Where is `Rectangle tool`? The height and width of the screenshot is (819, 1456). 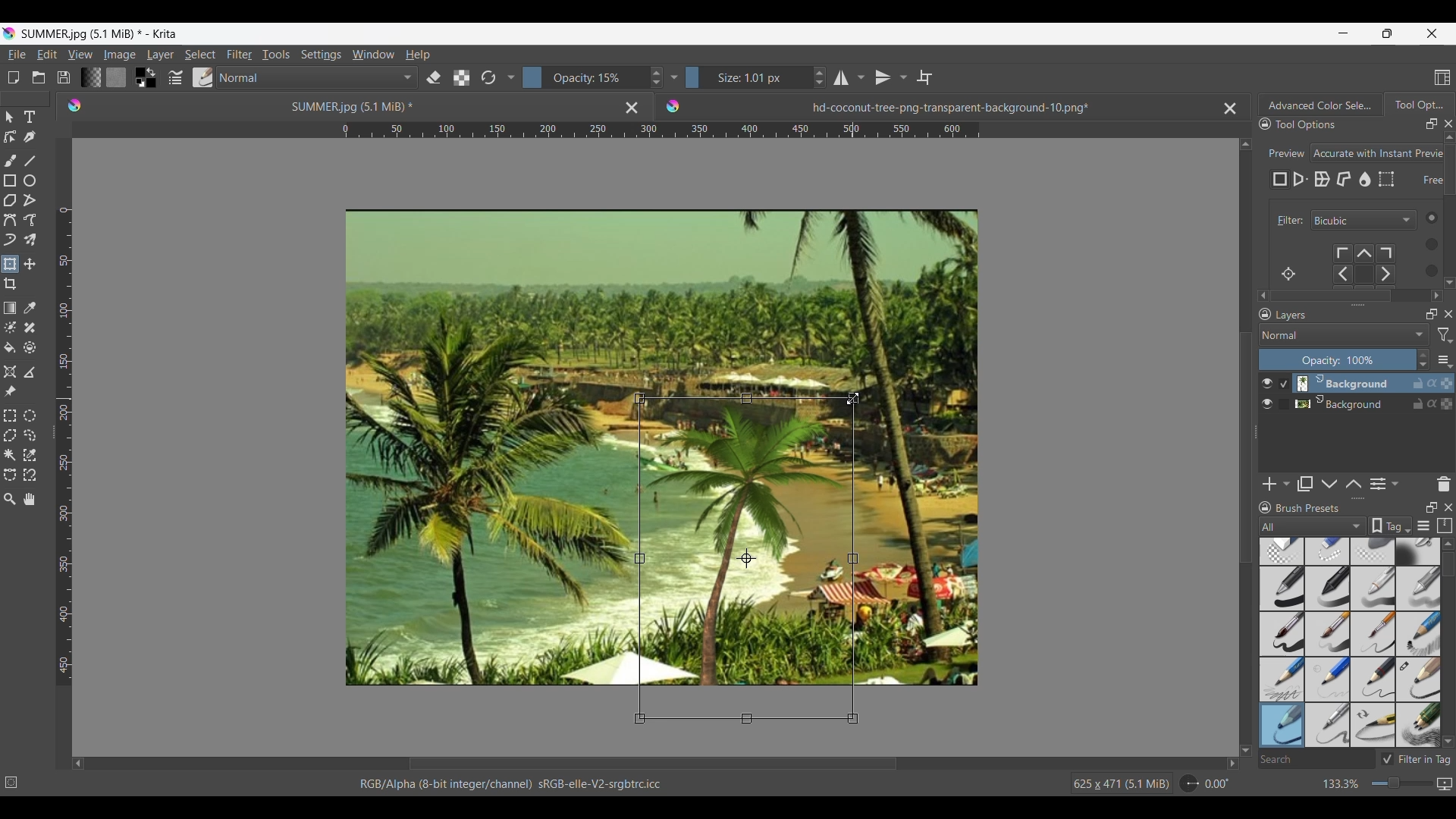
Rectangle tool is located at coordinates (9, 180).